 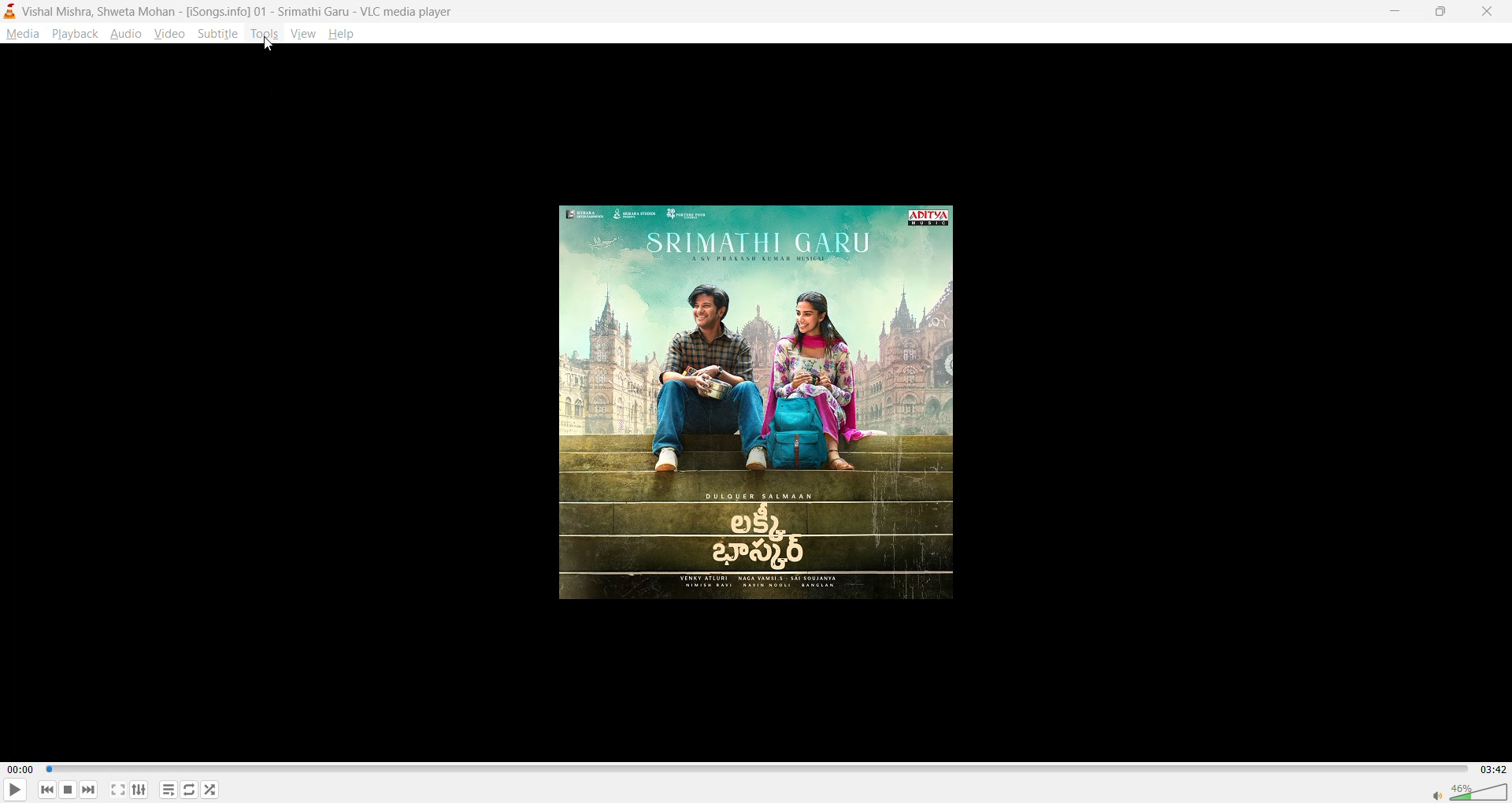 What do you see at coordinates (65, 790) in the screenshot?
I see `stop` at bounding box center [65, 790].